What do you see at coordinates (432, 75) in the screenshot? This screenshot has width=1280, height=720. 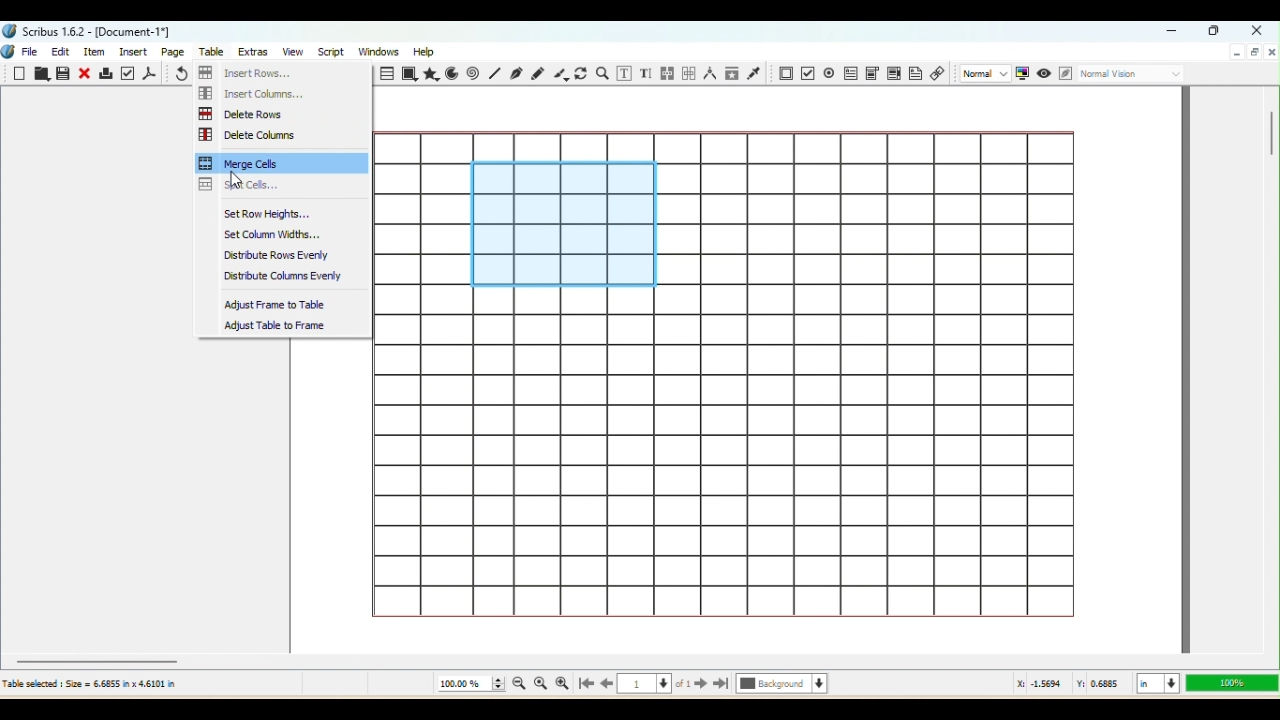 I see `Polygon` at bounding box center [432, 75].